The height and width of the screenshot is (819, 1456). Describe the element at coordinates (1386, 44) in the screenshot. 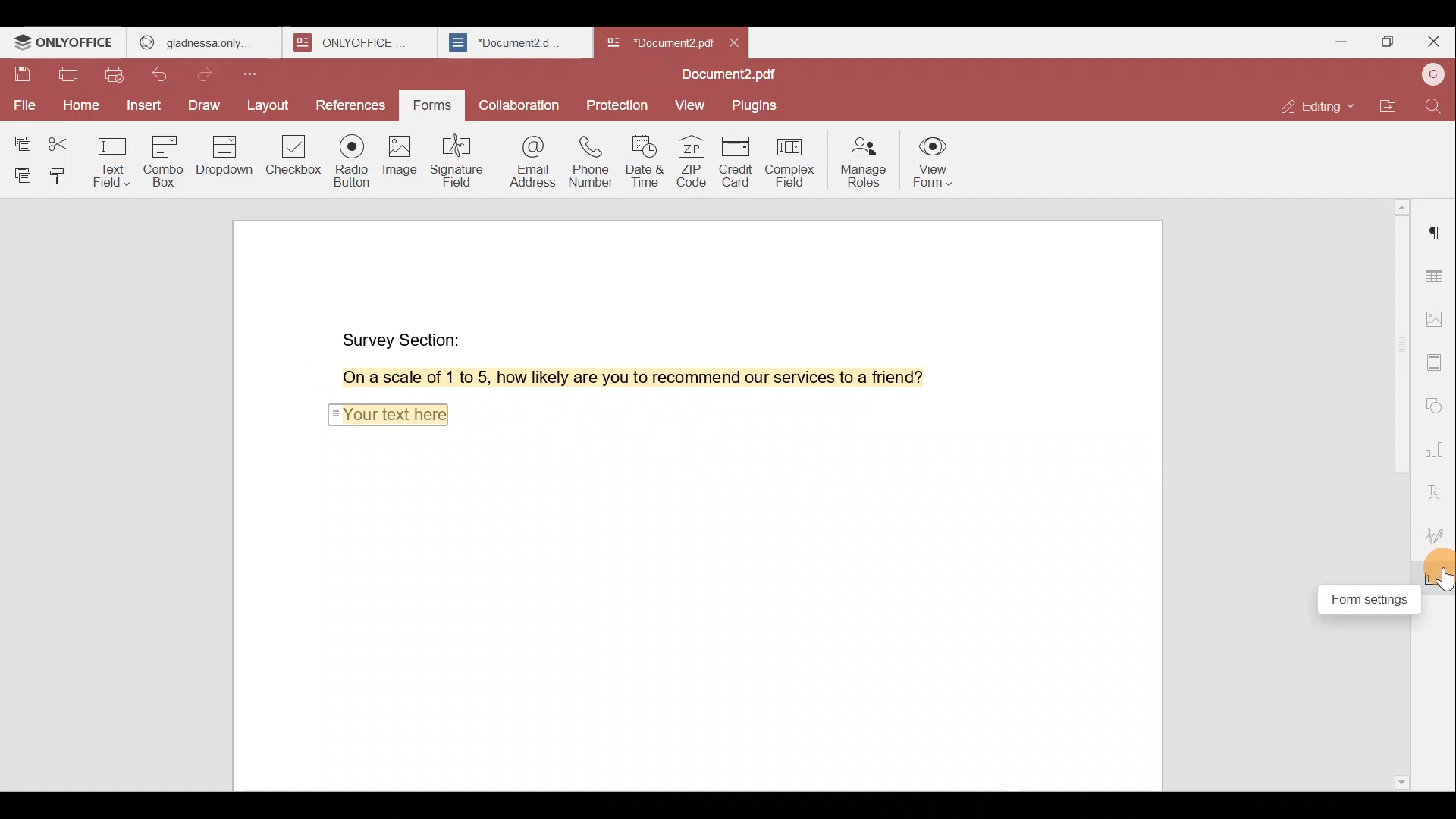

I see `Maximize` at that location.